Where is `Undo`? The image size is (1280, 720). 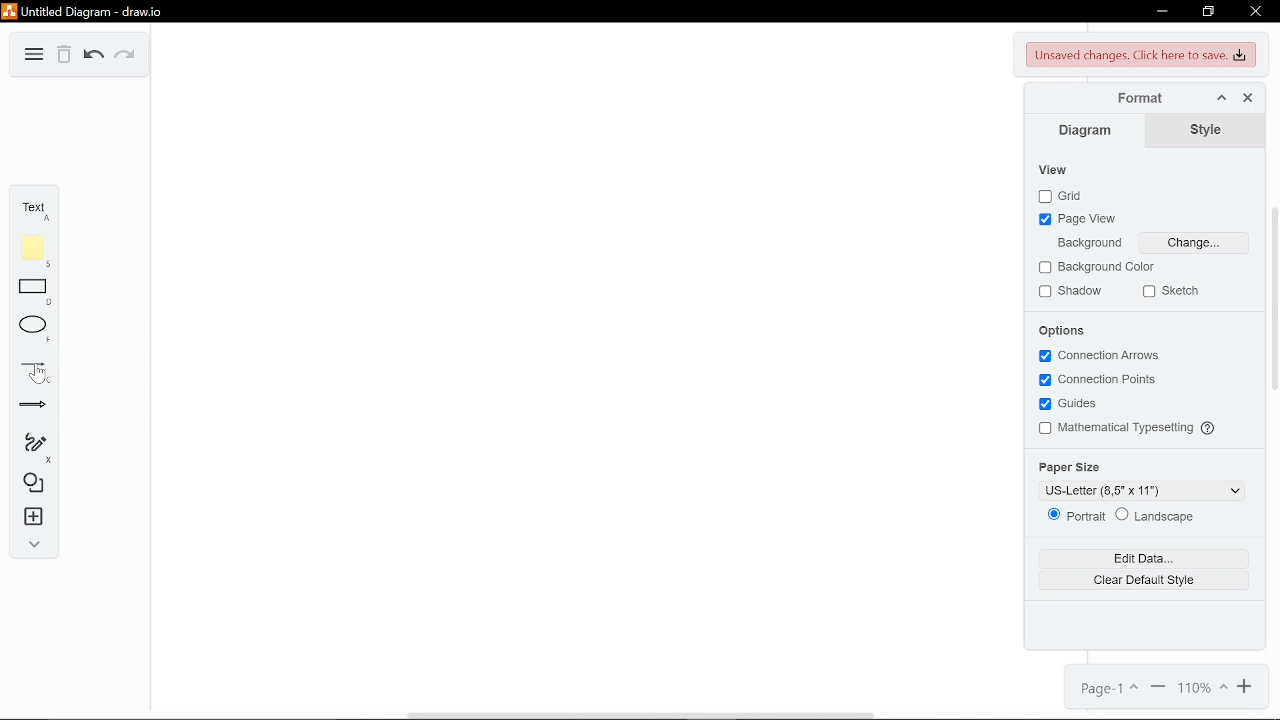 Undo is located at coordinates (93, 55).